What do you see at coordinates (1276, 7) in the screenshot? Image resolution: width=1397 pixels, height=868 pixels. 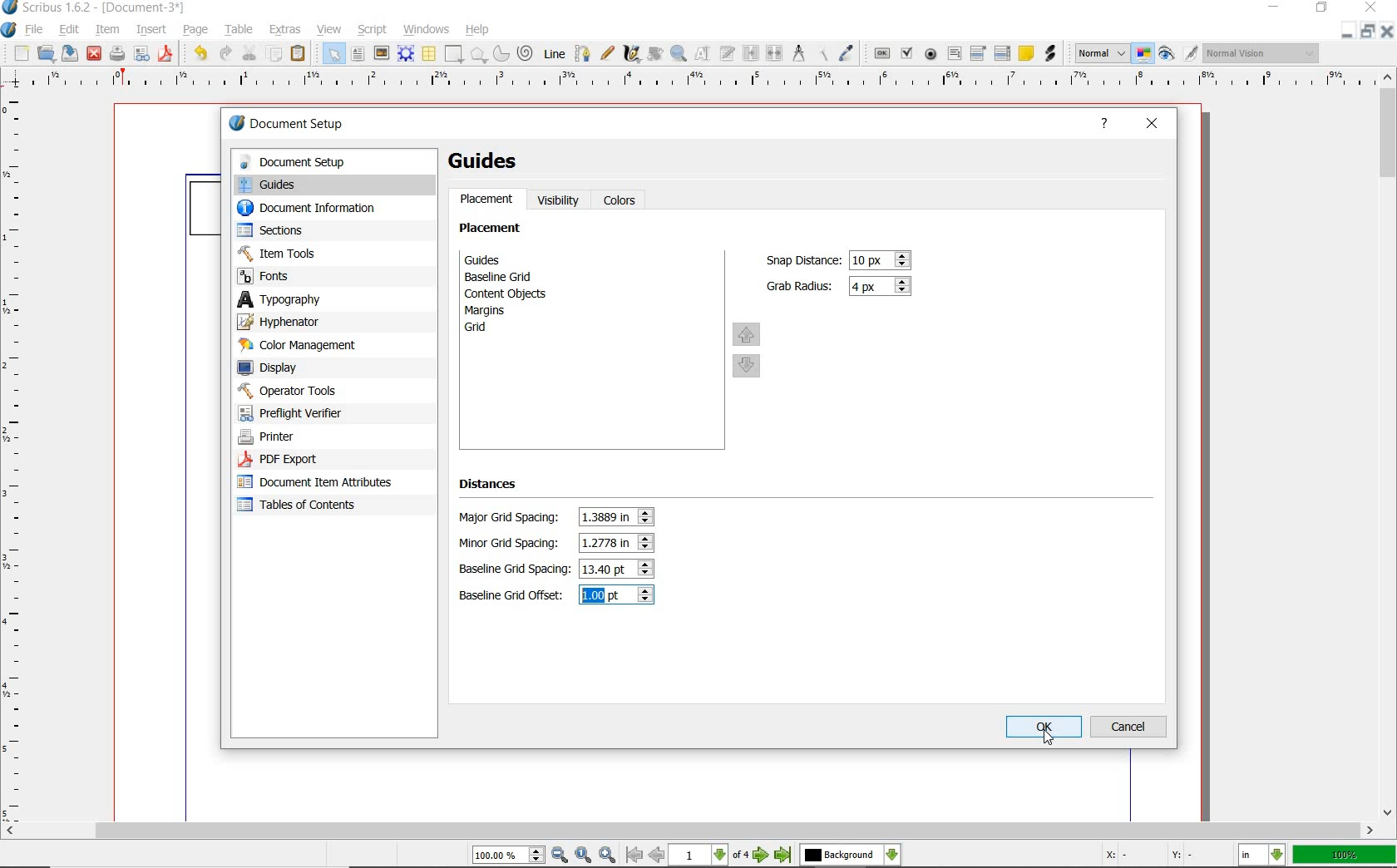 I see `minimize` at bounding box center [1276, 7].